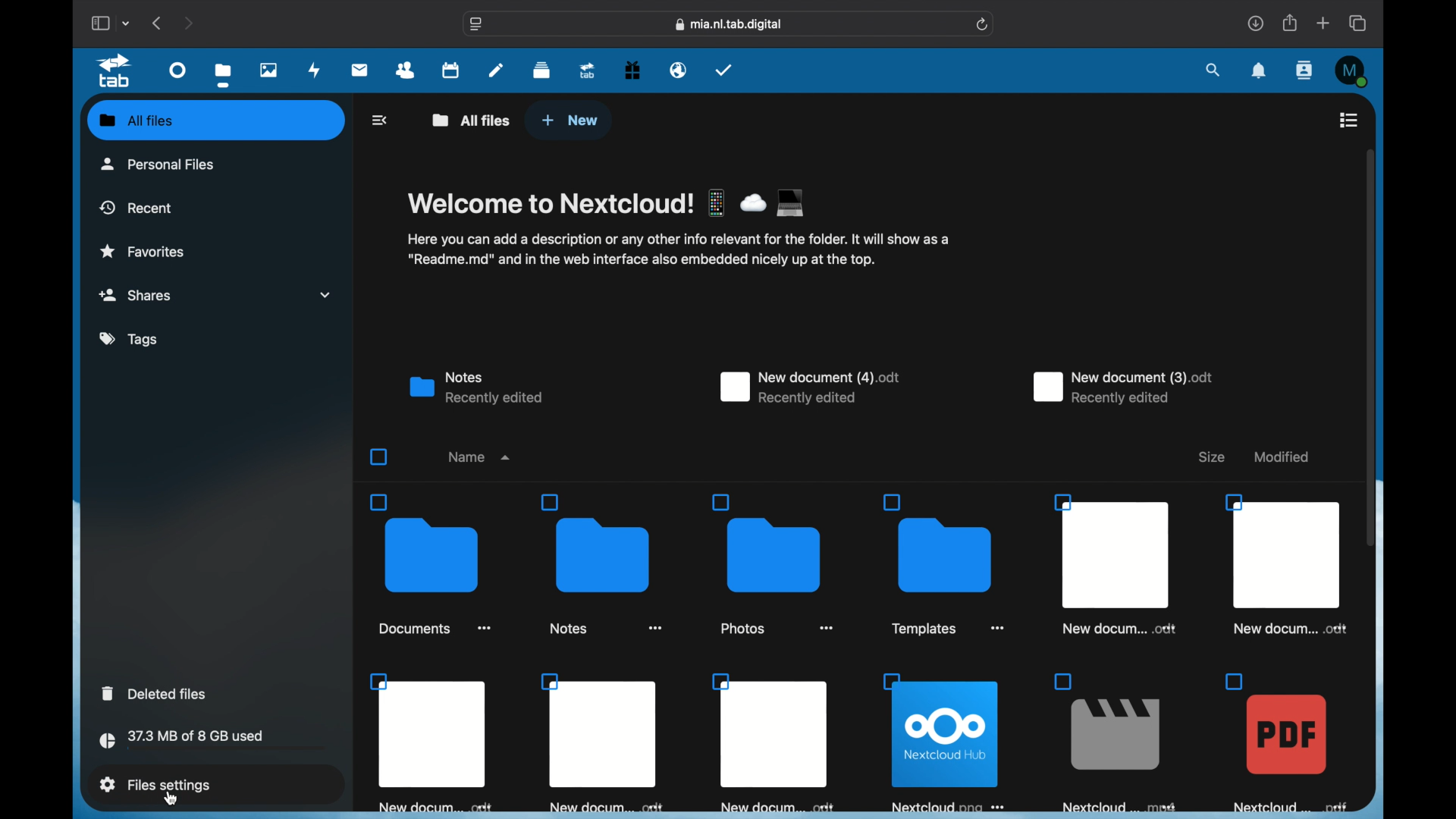 The height and width of the screenshot is (819, 1456). Describe the element at coordinates (474, 388) in the screenshot. I see `notes` at that location.